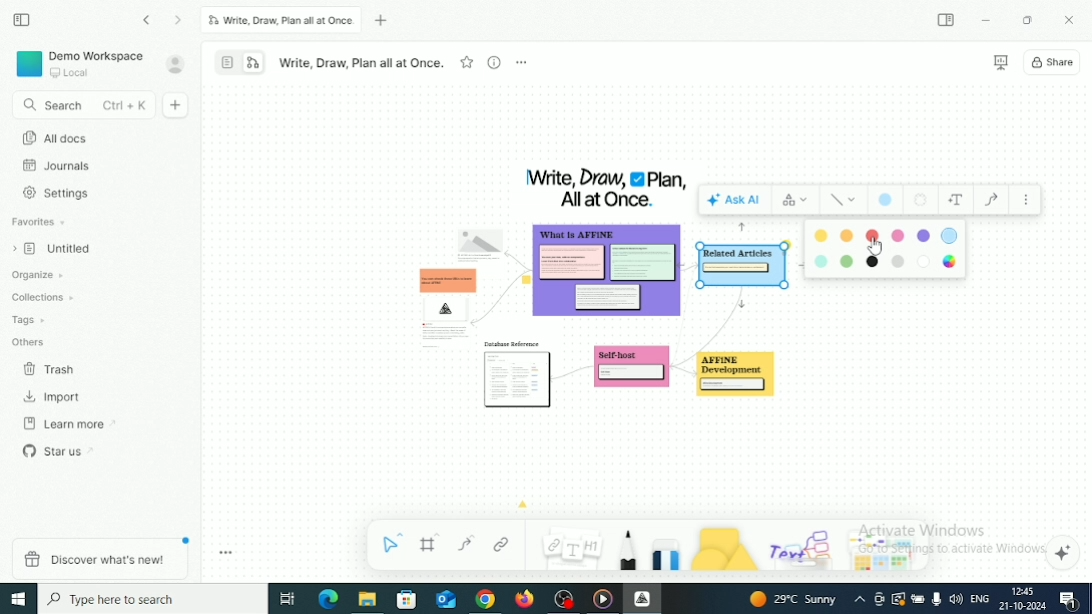  I want to click on Go back, so click(148, 20).